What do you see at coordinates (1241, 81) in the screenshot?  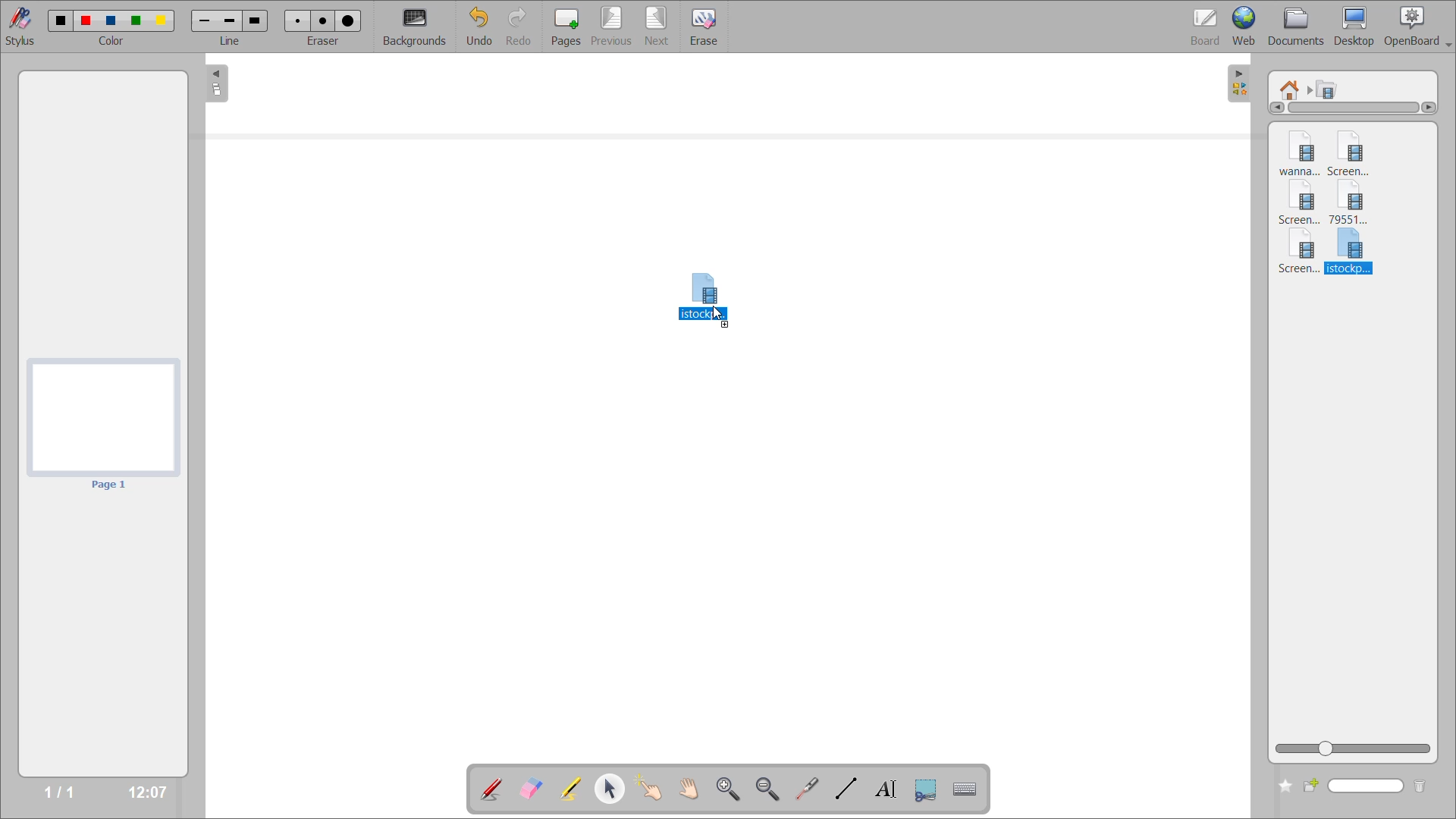 I see `collapse` at bounding box center [1241, 81].